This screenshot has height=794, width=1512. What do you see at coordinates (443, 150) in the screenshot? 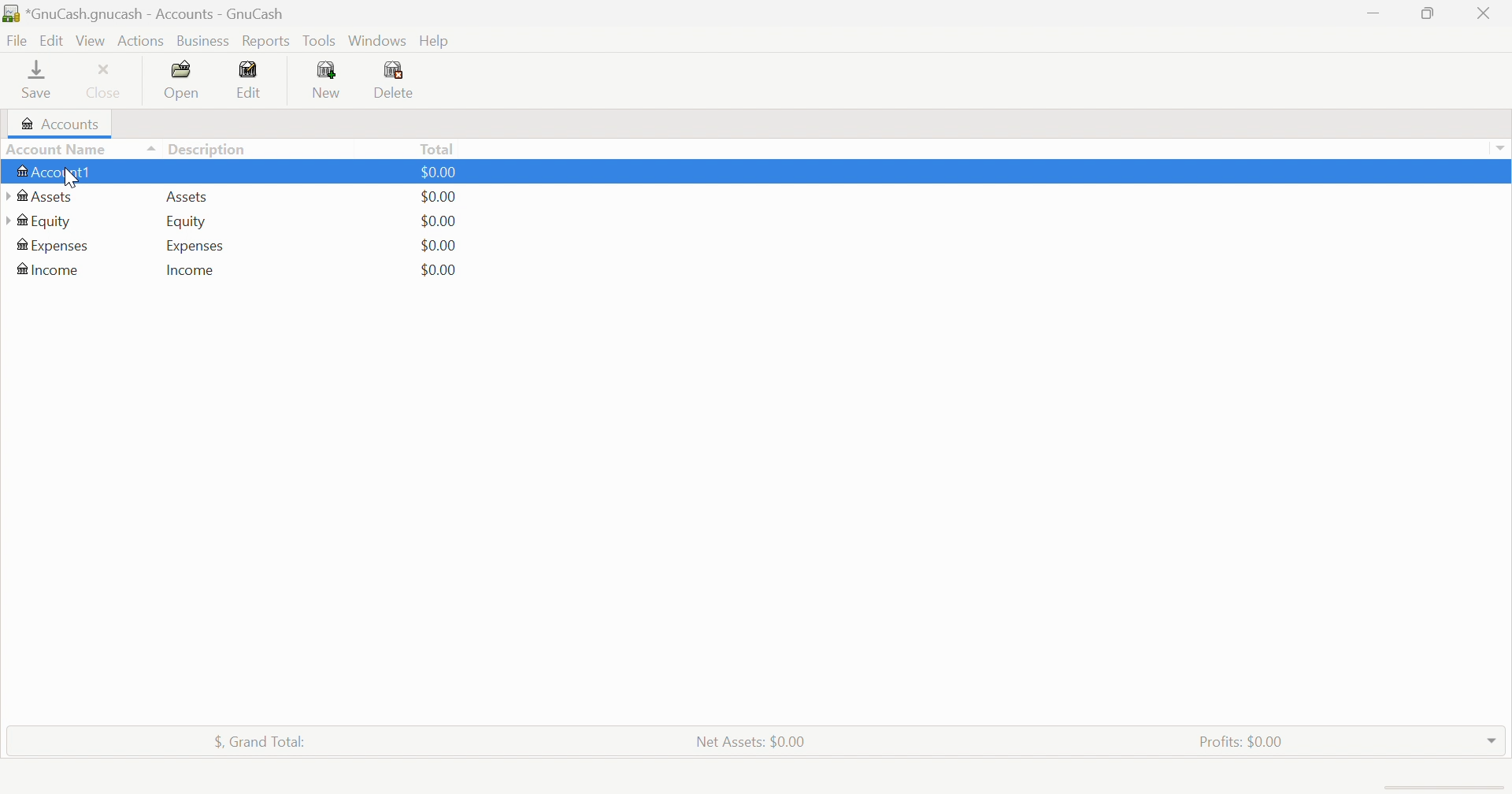
I see `Total` at bounding box center [443, 150].